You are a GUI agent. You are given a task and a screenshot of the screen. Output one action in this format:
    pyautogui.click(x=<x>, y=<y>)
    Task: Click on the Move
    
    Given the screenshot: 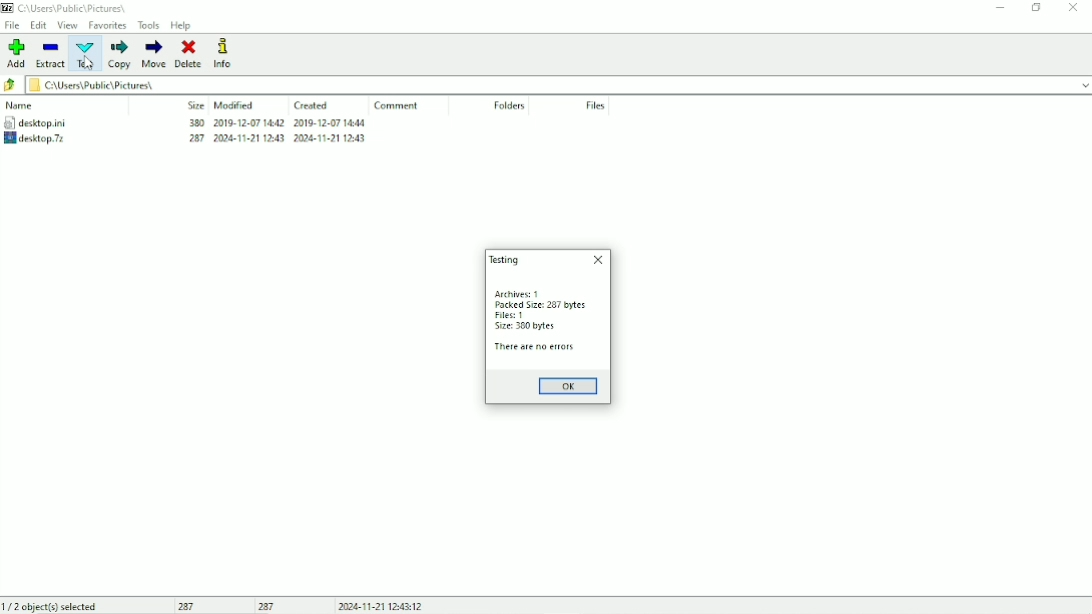 What is the action you would take?
    pyautogui.click(x=154, y=53)
    